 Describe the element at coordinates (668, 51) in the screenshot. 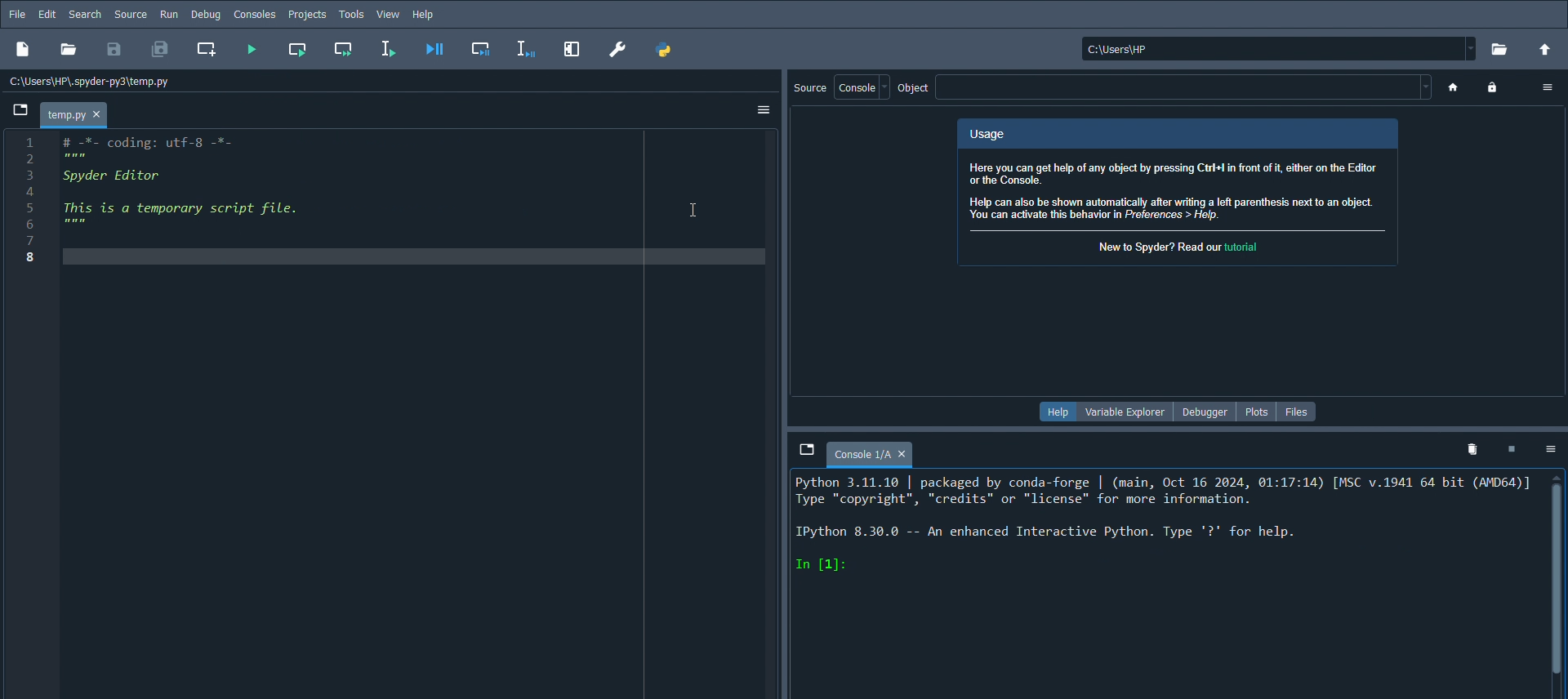

I see `PYTHONPATH manager` at that location.